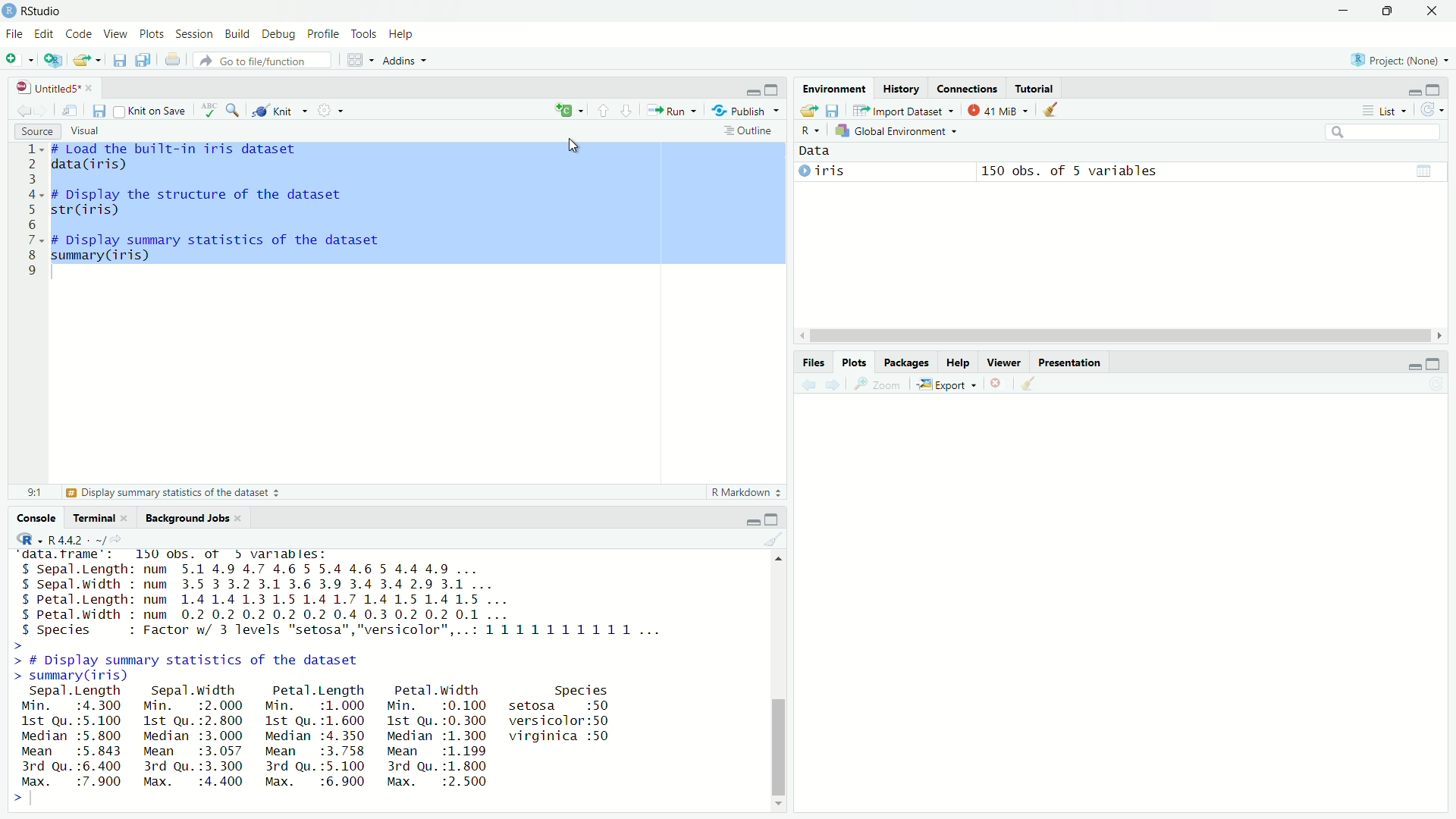 This screenshot has height=819, width=1456. Describe the element at coordinates (150, 111) in the screenshot. I see `Knit on Save` at that location.